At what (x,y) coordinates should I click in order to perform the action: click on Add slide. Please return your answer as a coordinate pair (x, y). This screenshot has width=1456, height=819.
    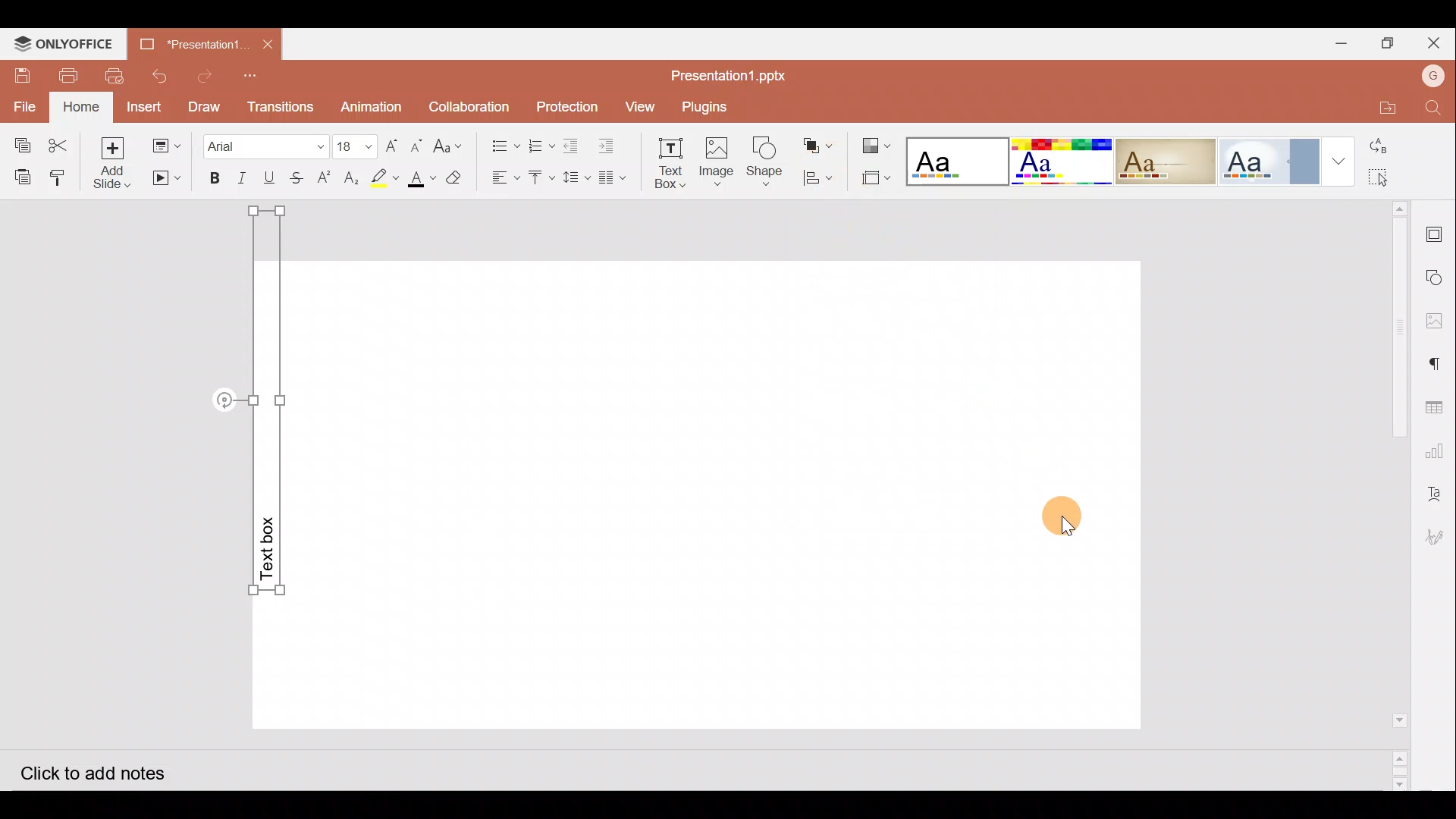
    Looking at the image, I should click on (118, 164).